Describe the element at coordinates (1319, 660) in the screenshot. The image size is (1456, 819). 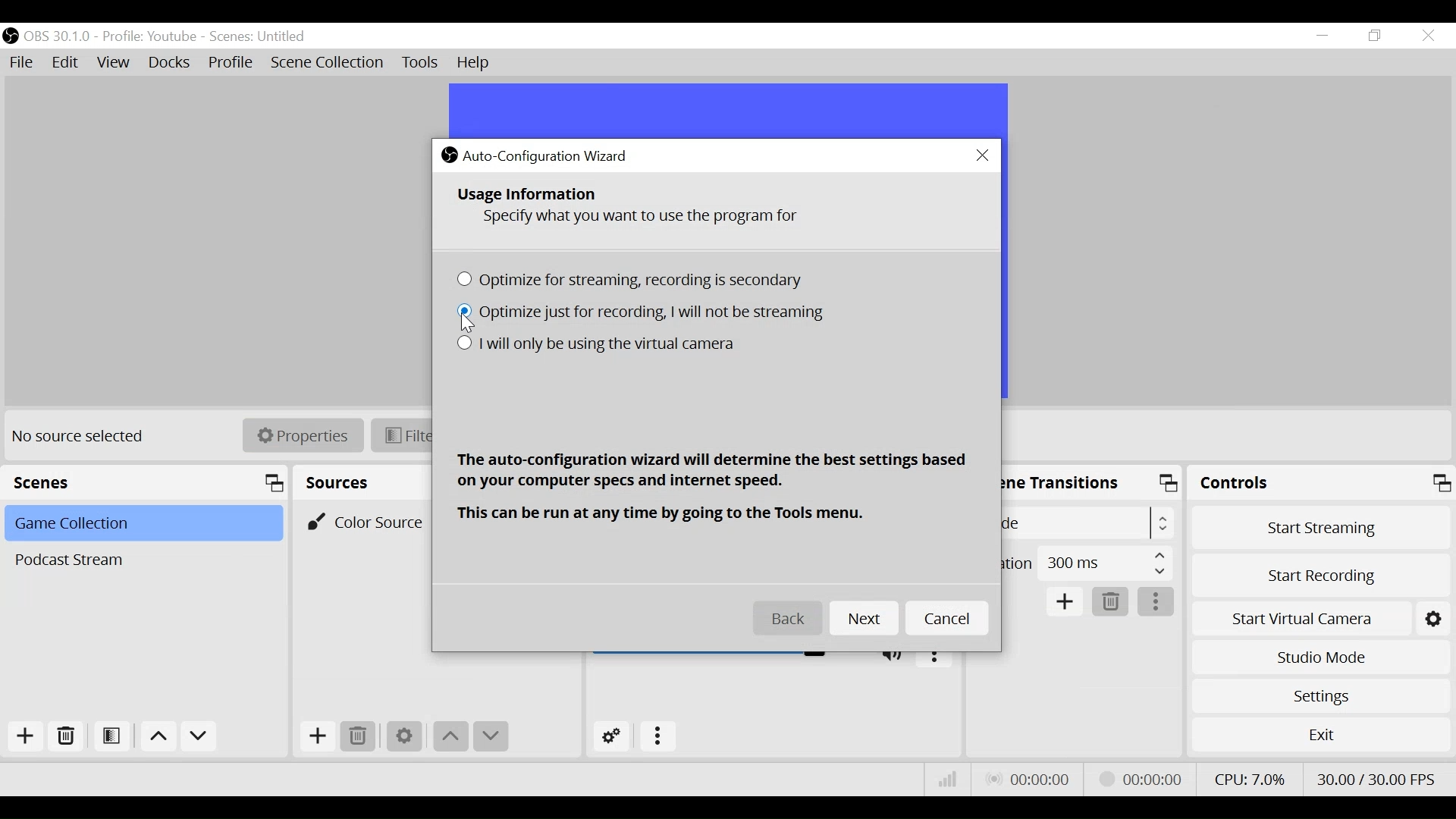
I see `Studio Mode` at that location.